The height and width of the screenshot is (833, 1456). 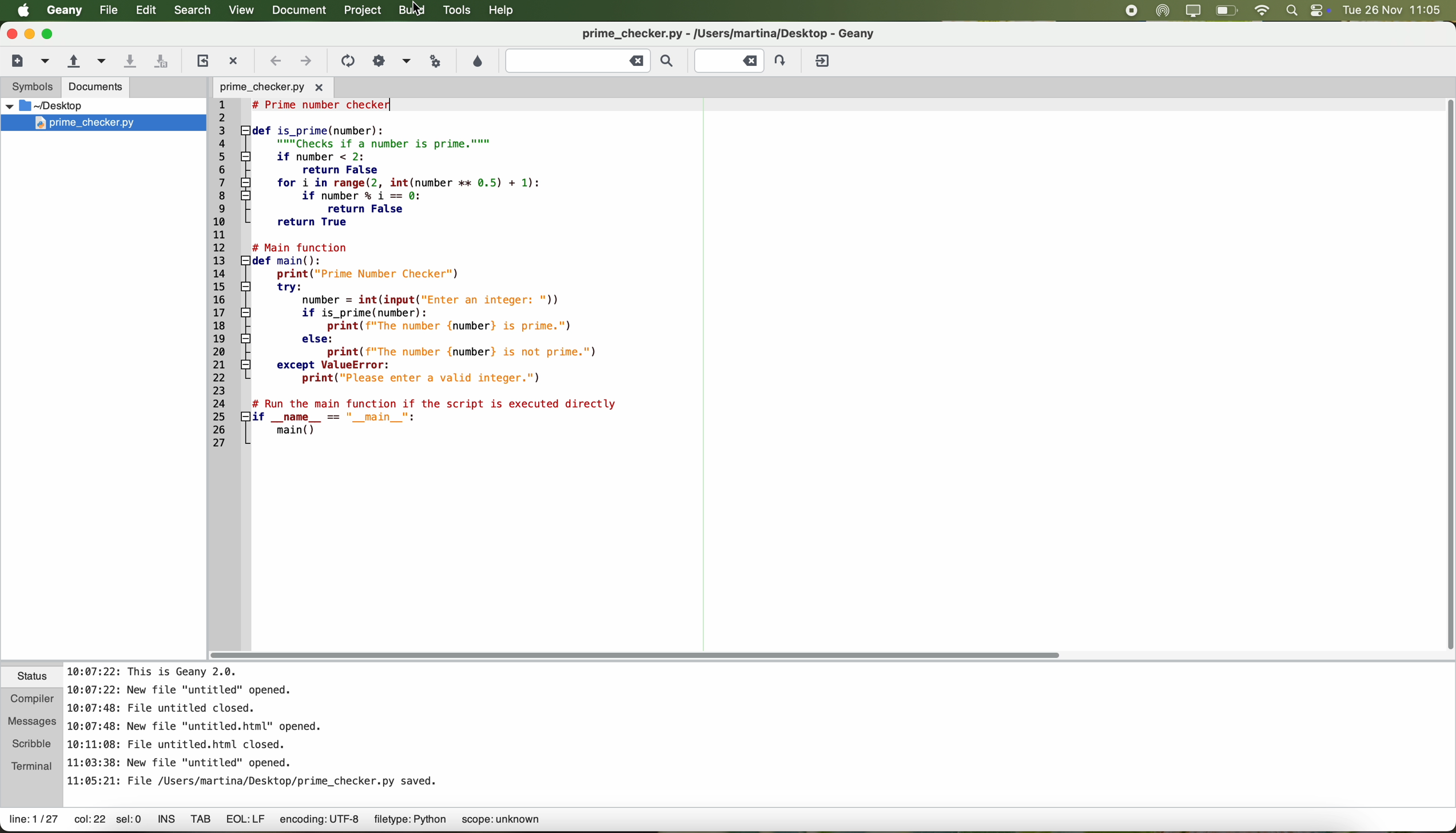 I want to click on build, so click(x=413, y=11).